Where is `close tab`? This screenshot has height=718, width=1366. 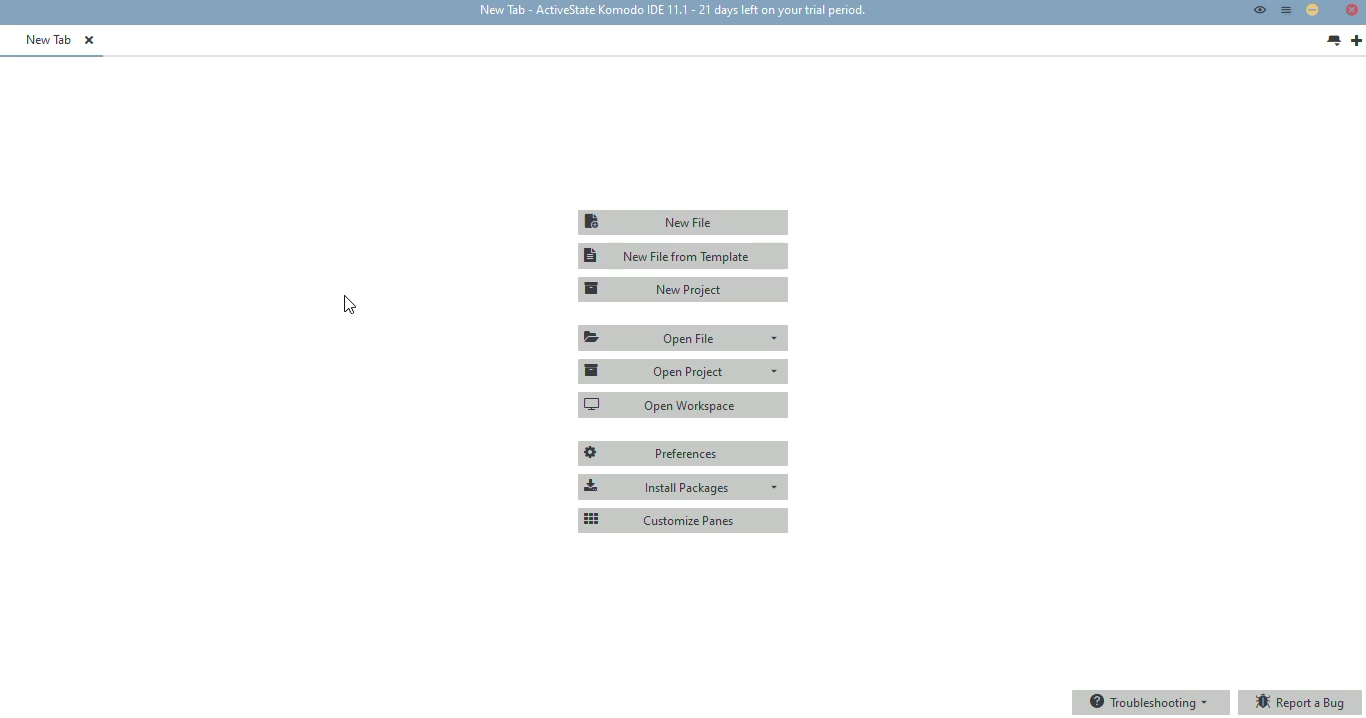 close tab is located at coordinates (89, 40).